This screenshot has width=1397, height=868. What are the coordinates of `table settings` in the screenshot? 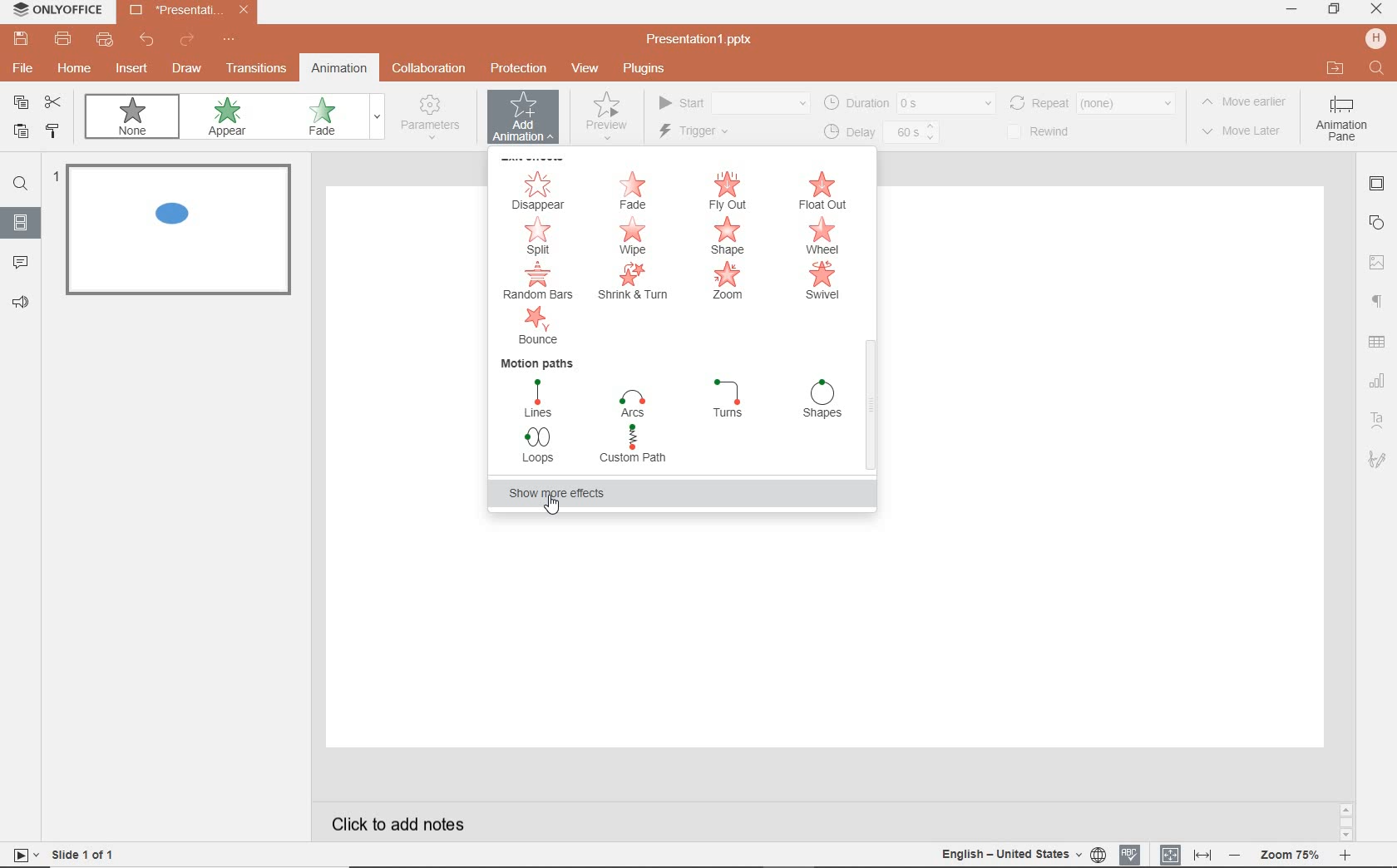 It's located at (1379, 343).